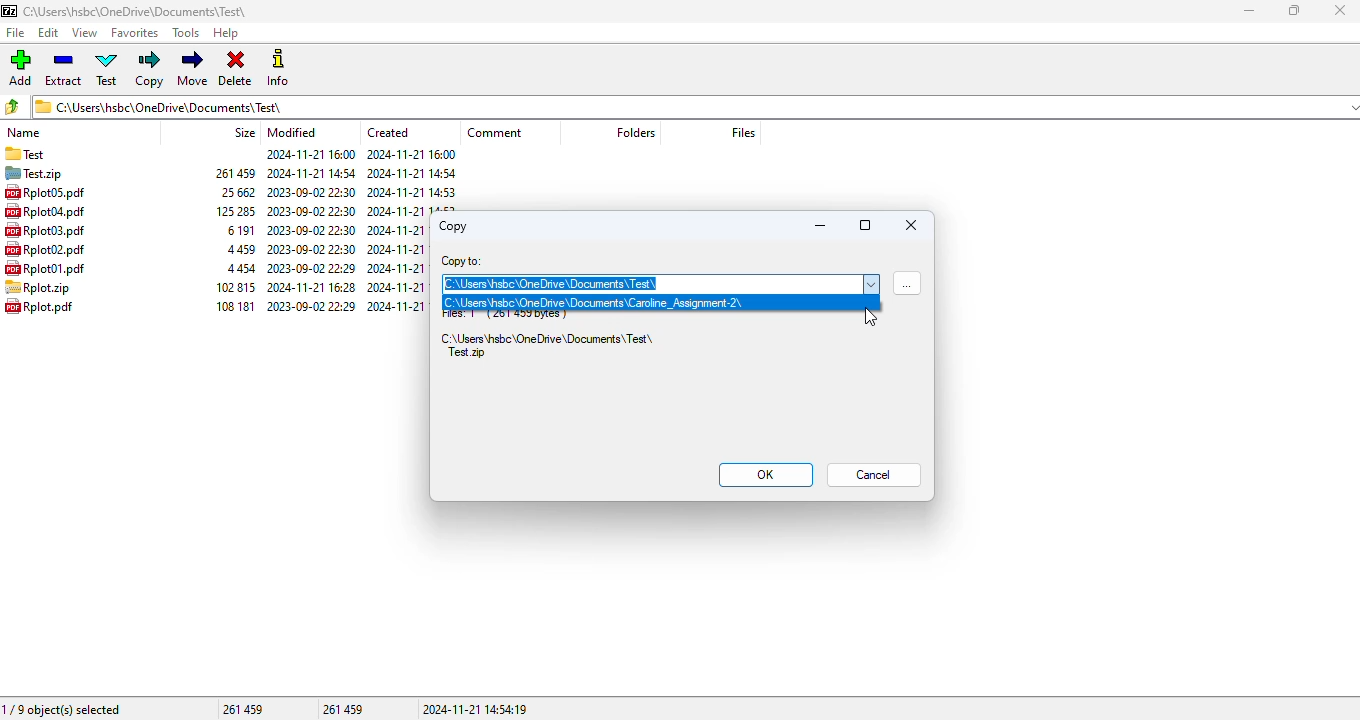 The image size is (1360, 720). Describe the element at coordinates (44, 267) in the screenshot. I see `file name` at that location.